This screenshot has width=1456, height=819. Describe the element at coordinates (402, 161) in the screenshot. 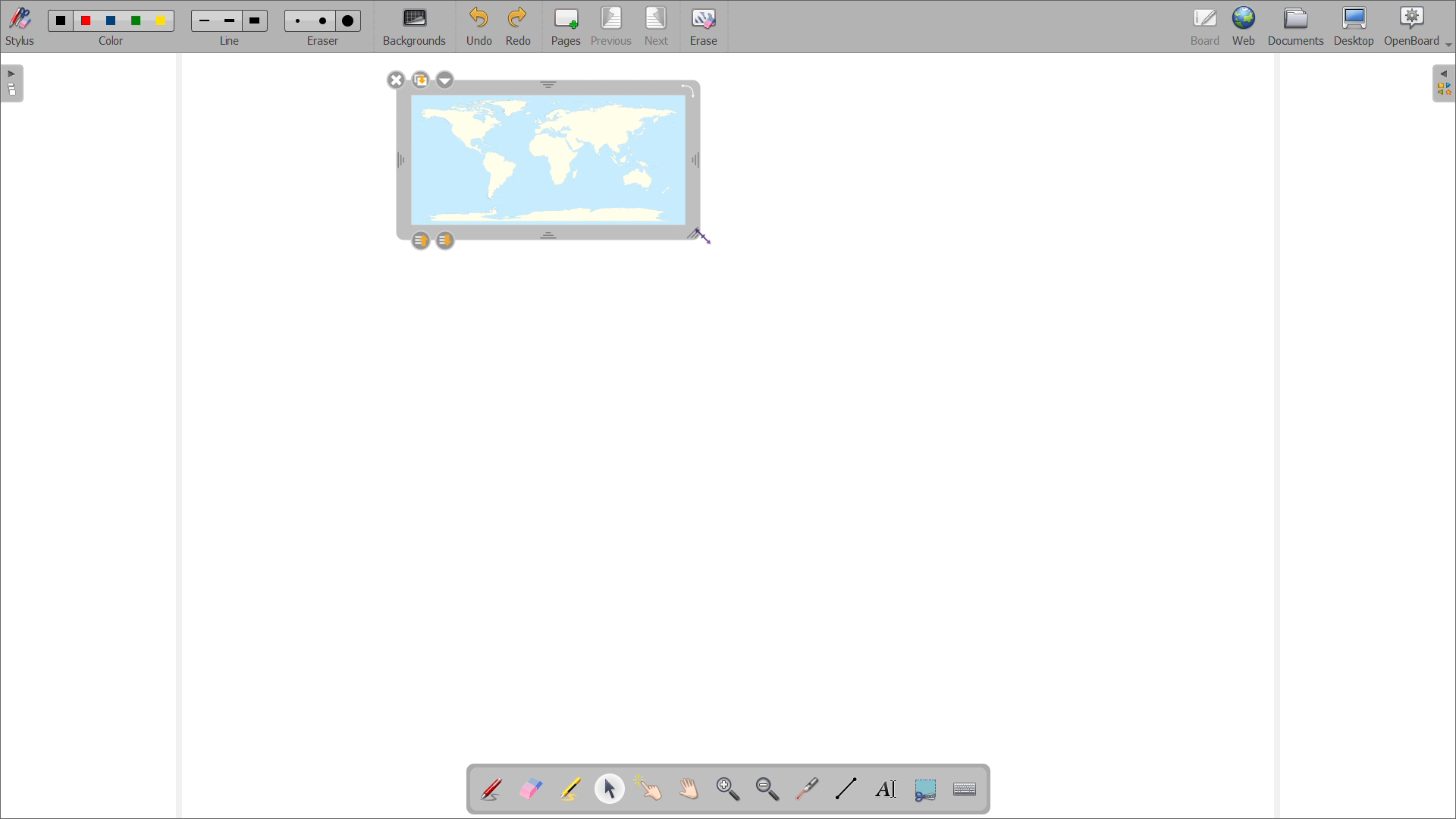

I see `resize` at that location.